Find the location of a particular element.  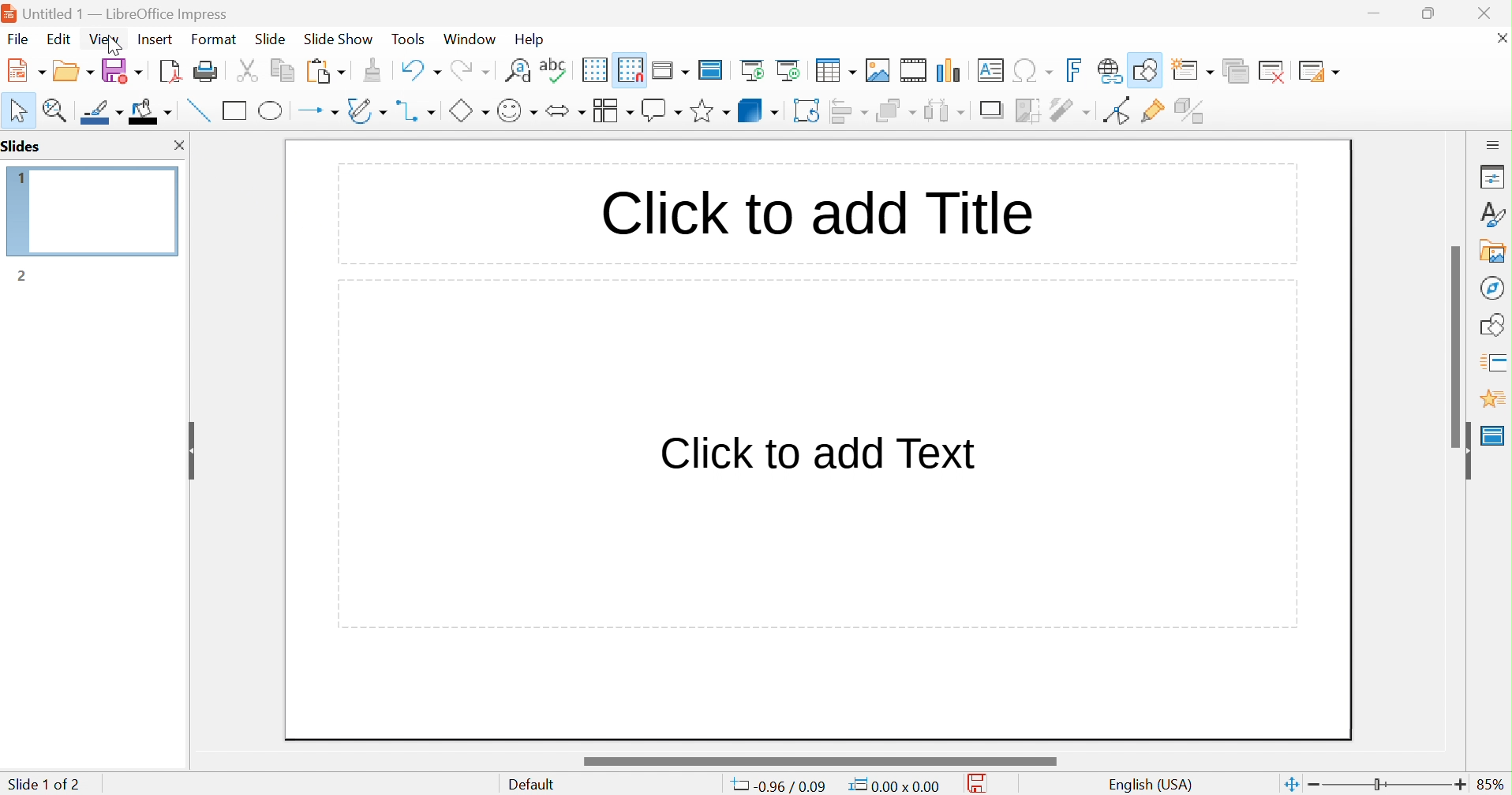

toggle point edit mode is located at coordinates (1115, 110).